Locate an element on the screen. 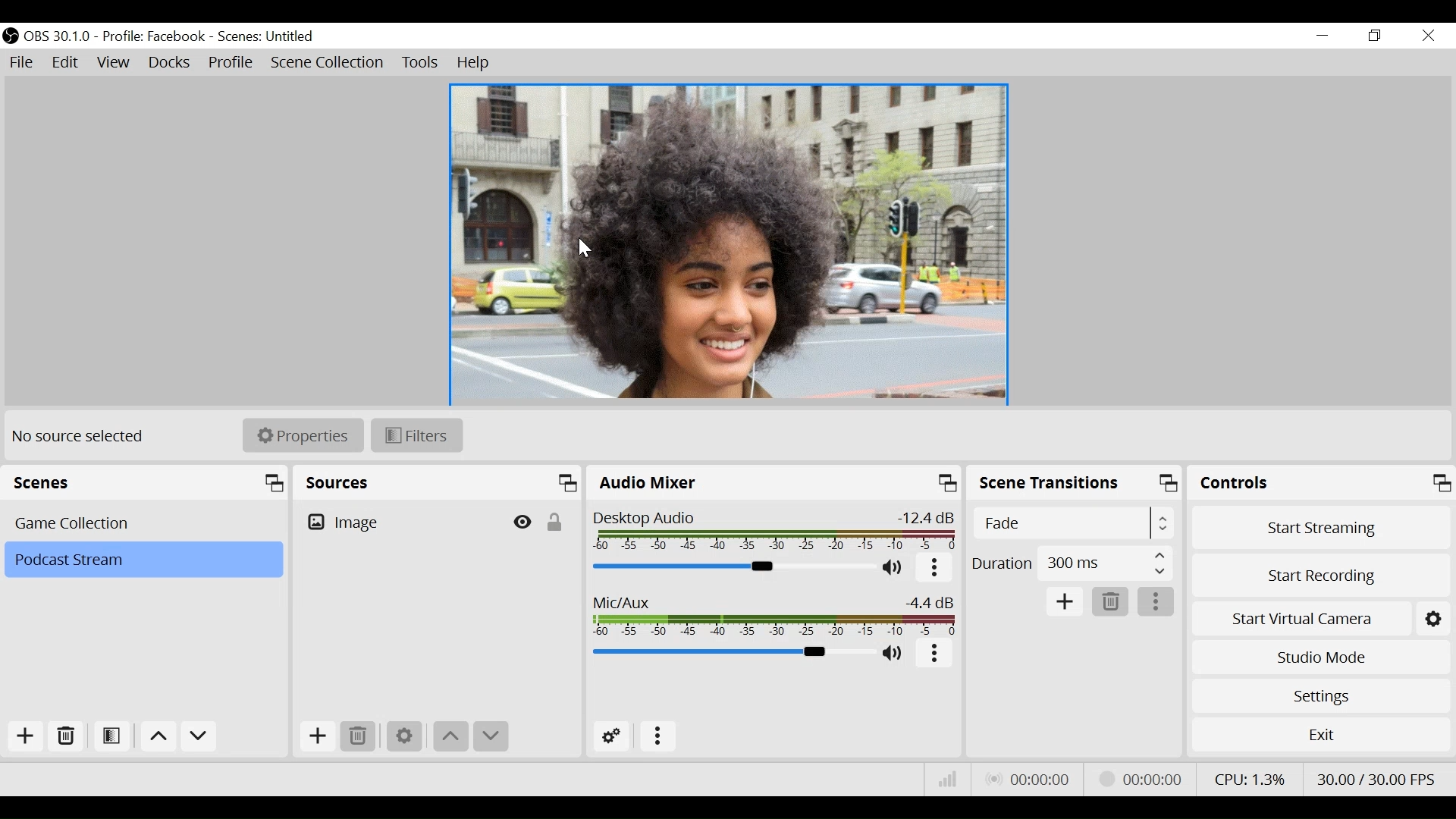 The image size is (1456, 819). Close is located at coordinates (1431, 35).